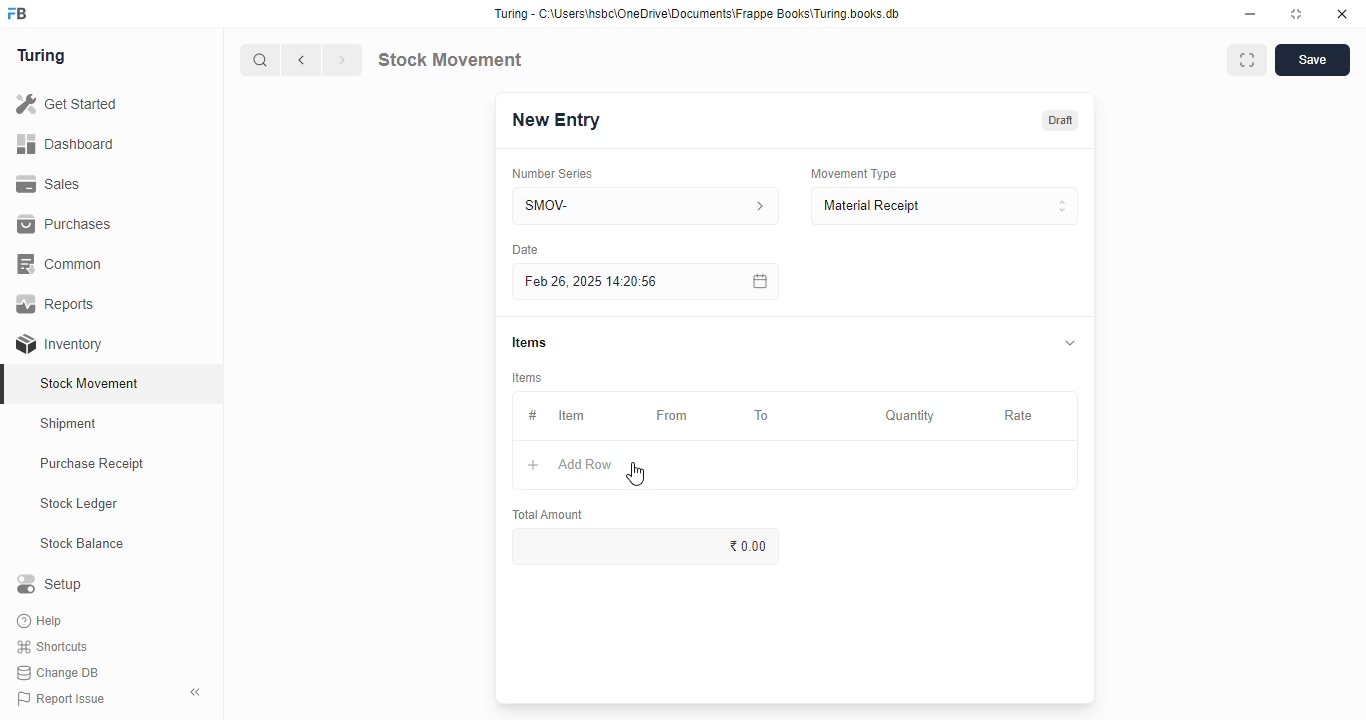 This screenshot has height=720, width=1366. What do you see at coordinates (763, 416) in the screenshot?
I see `to` at bounding box center [763, 416].